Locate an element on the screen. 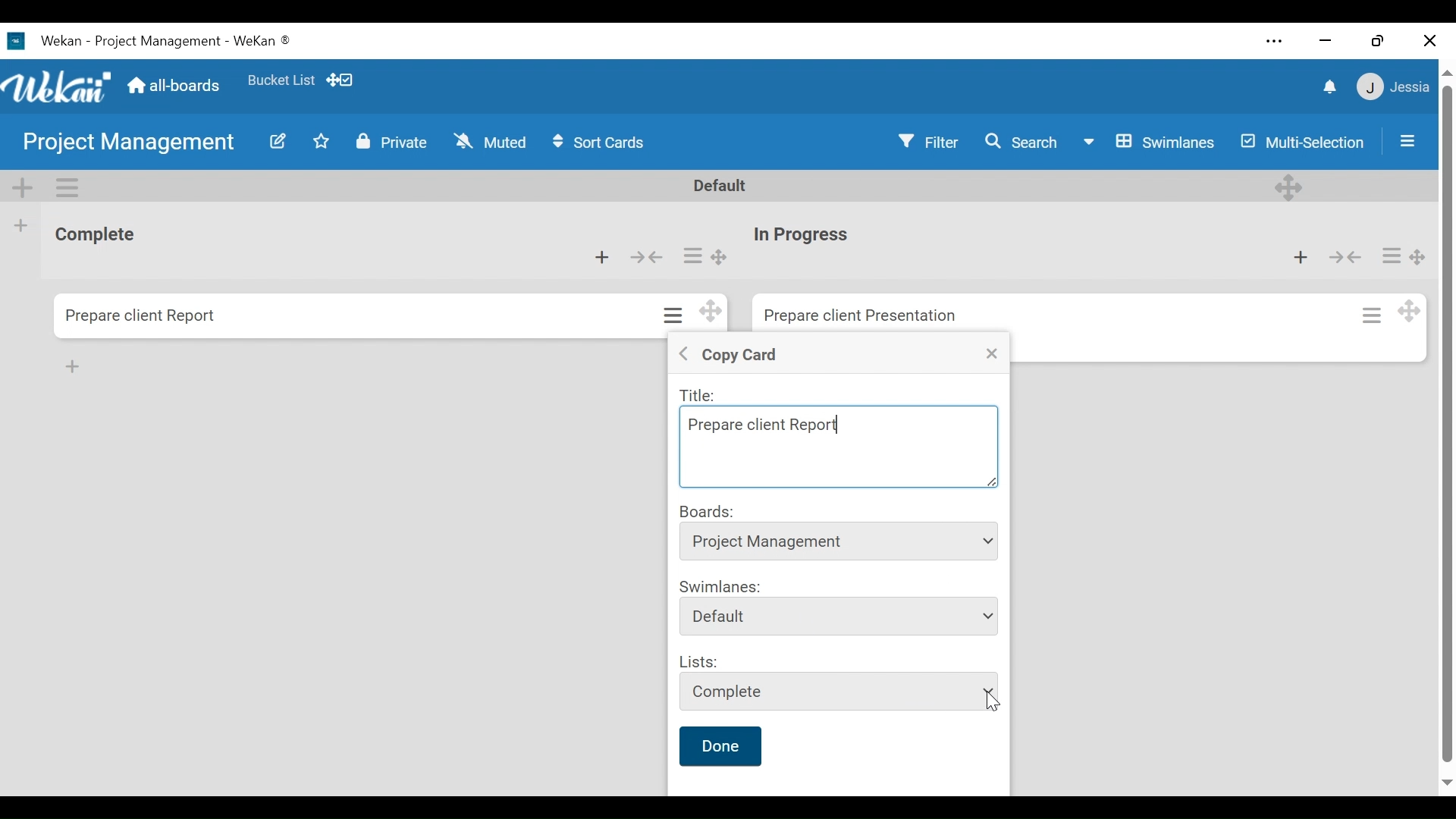 This screenshot has width=1456, height=819. Toggle favorites is located at coordinates (322, 142).